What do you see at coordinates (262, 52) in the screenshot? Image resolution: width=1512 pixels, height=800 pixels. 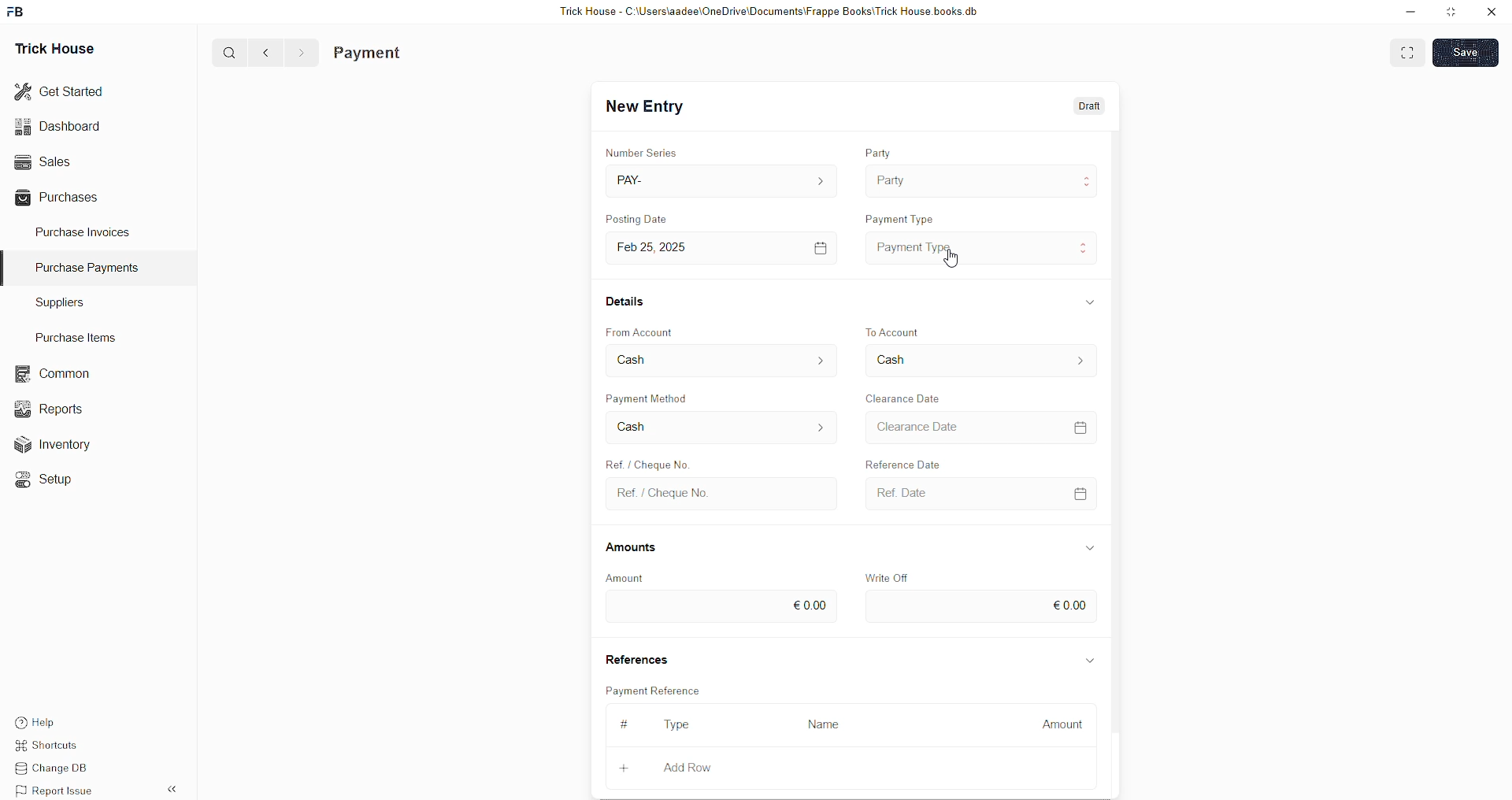 I see `<` at bounding box center [262, 52].